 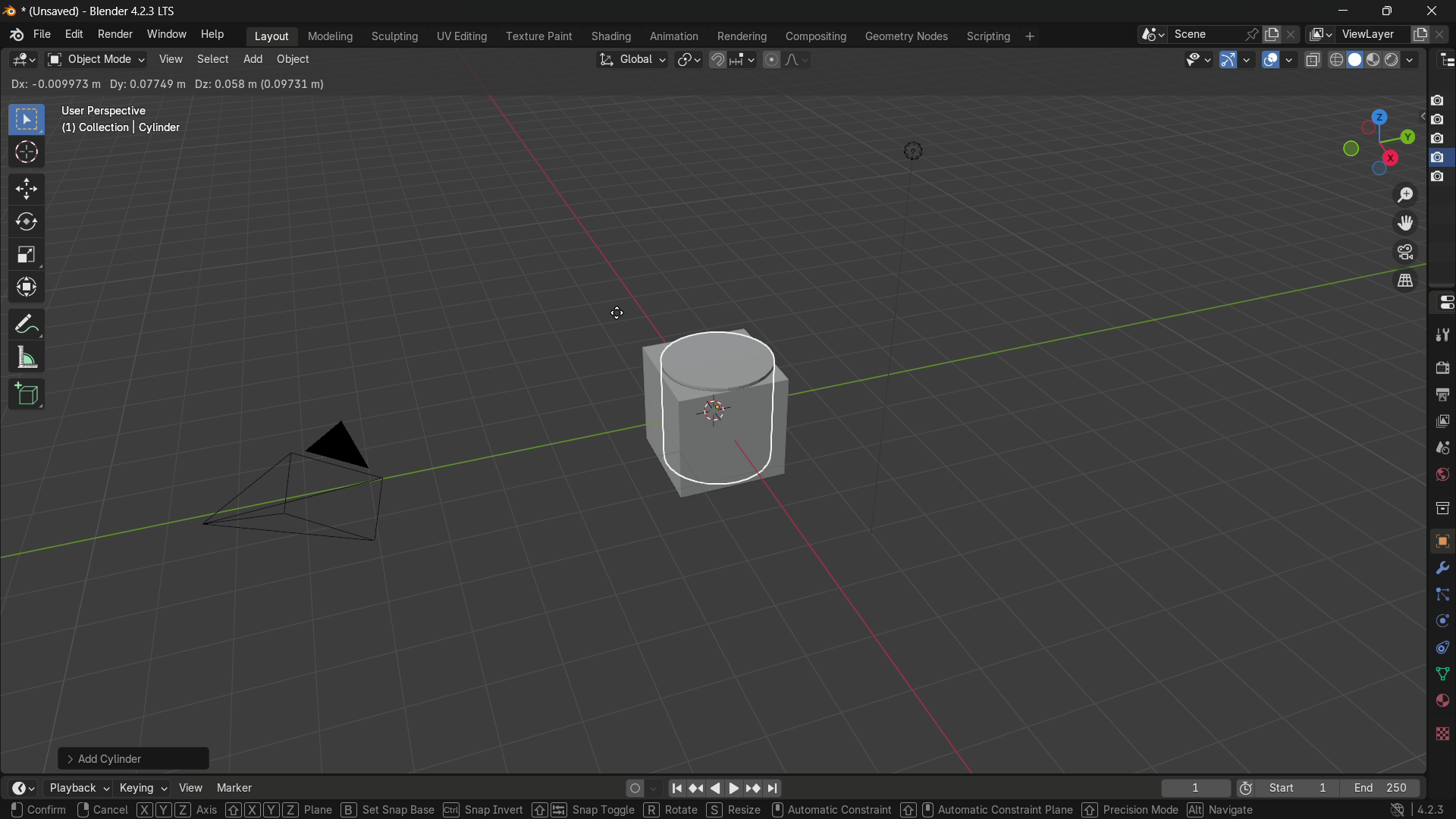 I want to click on scene name, so click(x=1205, y=34).